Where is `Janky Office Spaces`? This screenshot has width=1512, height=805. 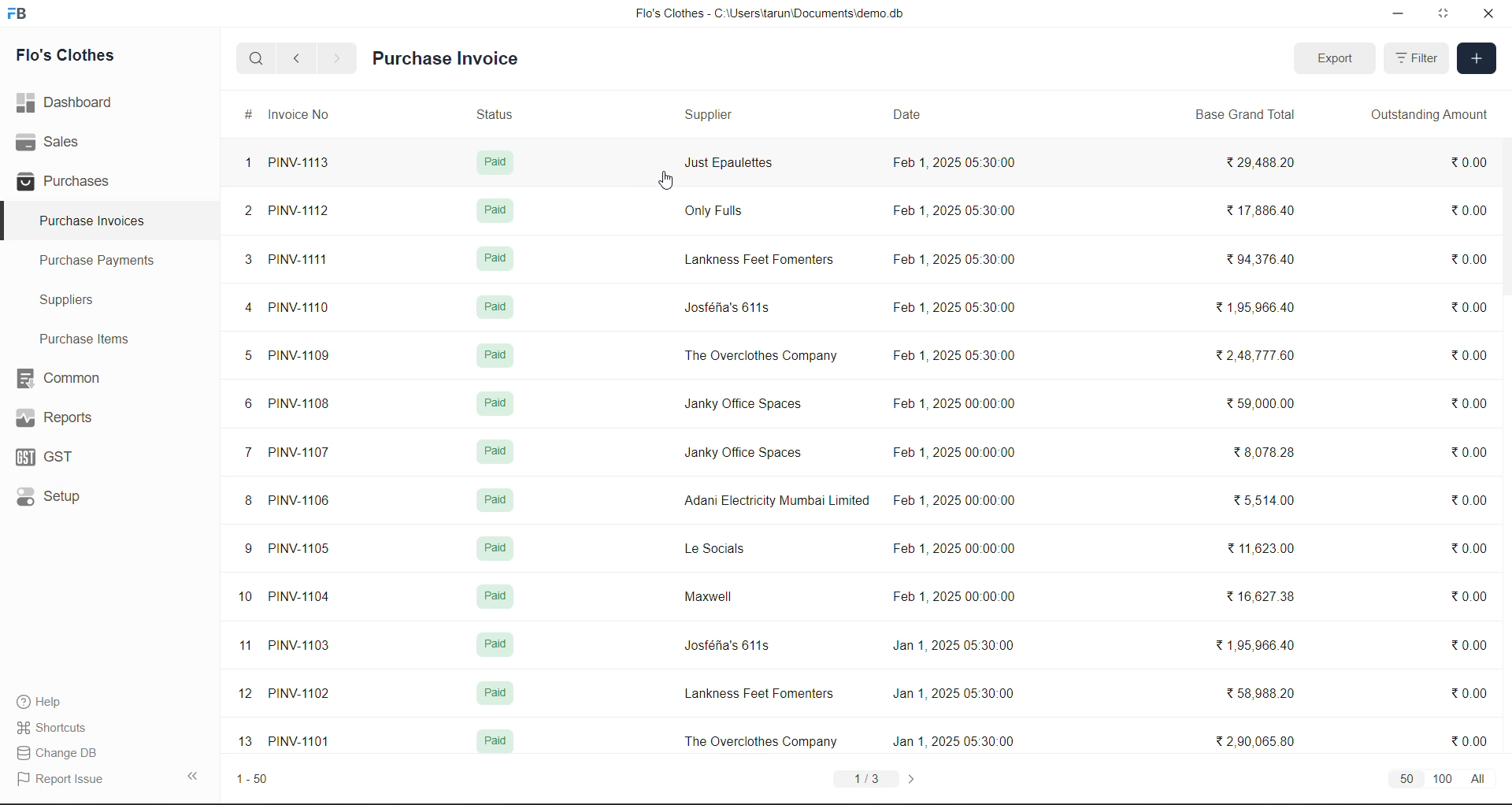 Janky Office Spaces is located at coordinates (741, 404).